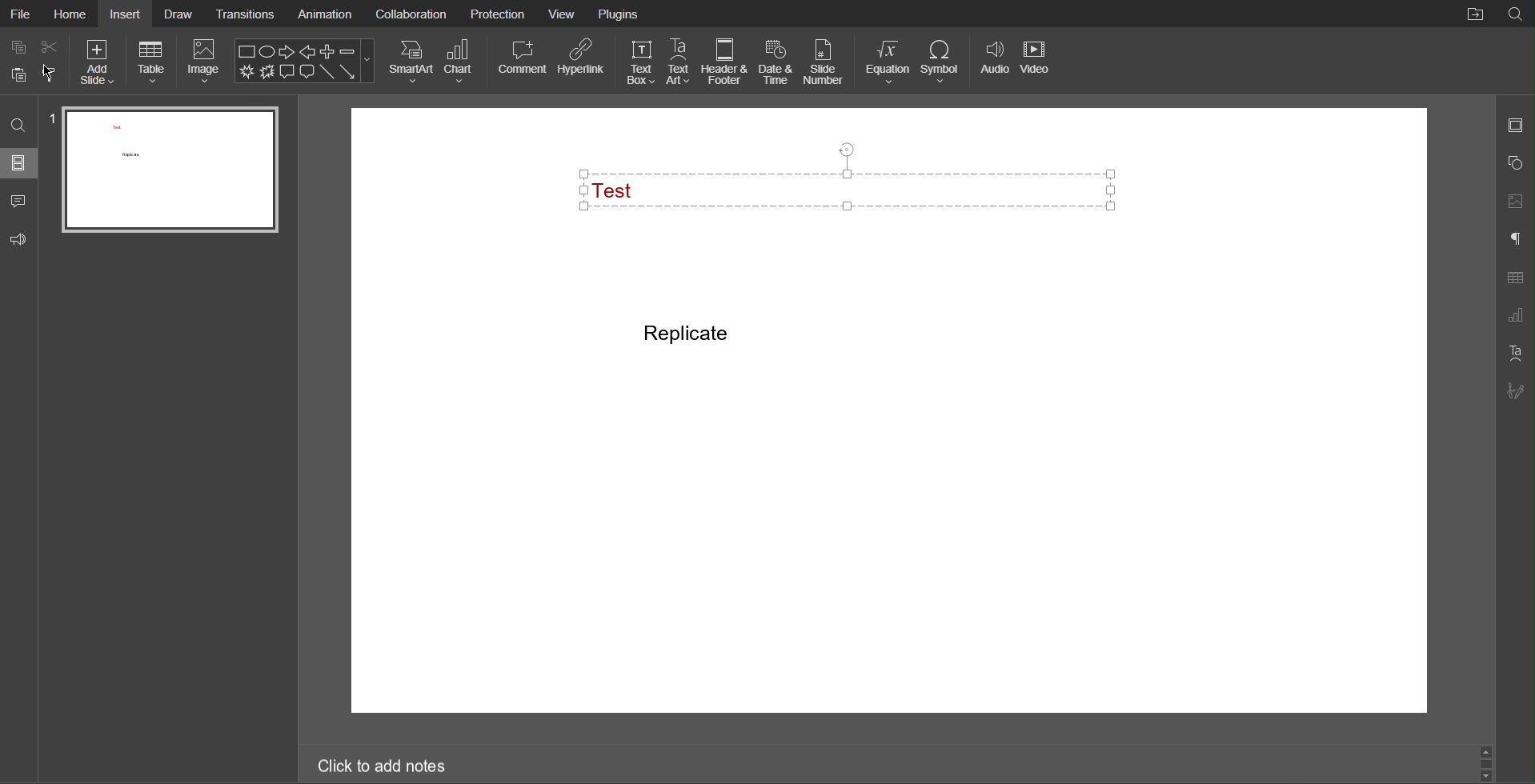 The image size is (1535, 784). Describe the element at coordinates (128, 14) in the screenshot. I see `Insert` at that location.